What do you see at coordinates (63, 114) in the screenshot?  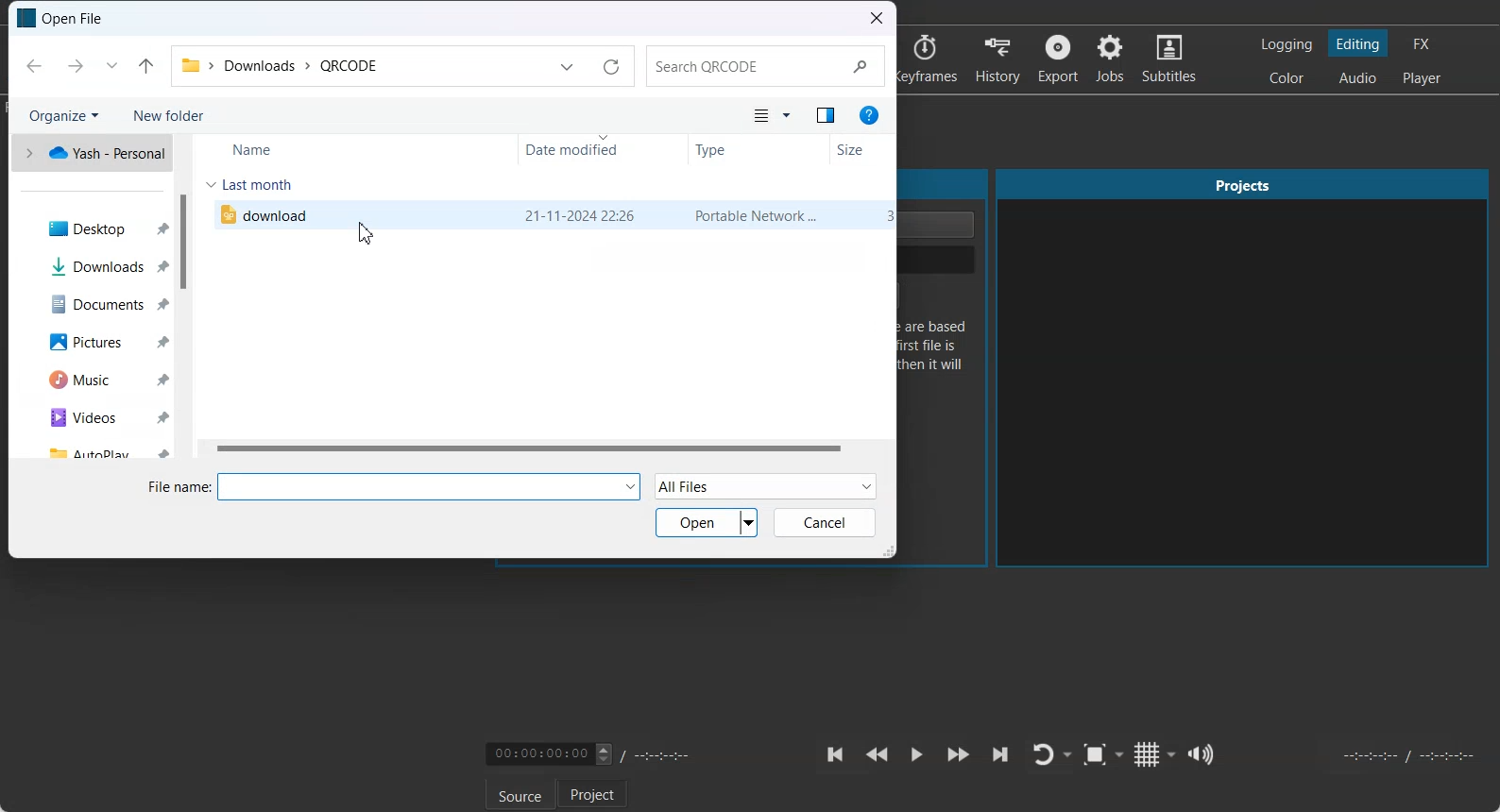 I see `Organize` at bounding box center [63, 114].